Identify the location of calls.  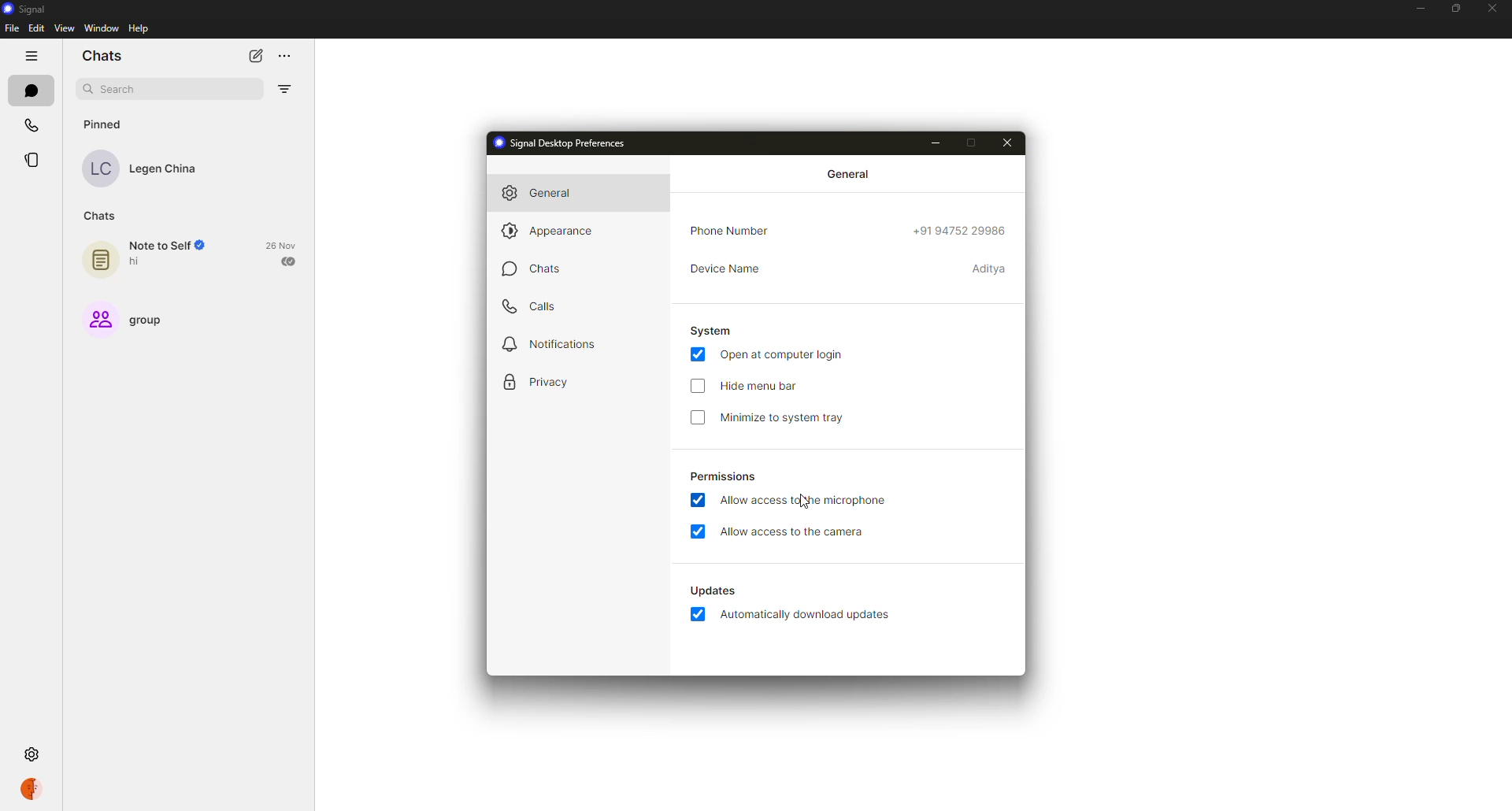
(528, 308).